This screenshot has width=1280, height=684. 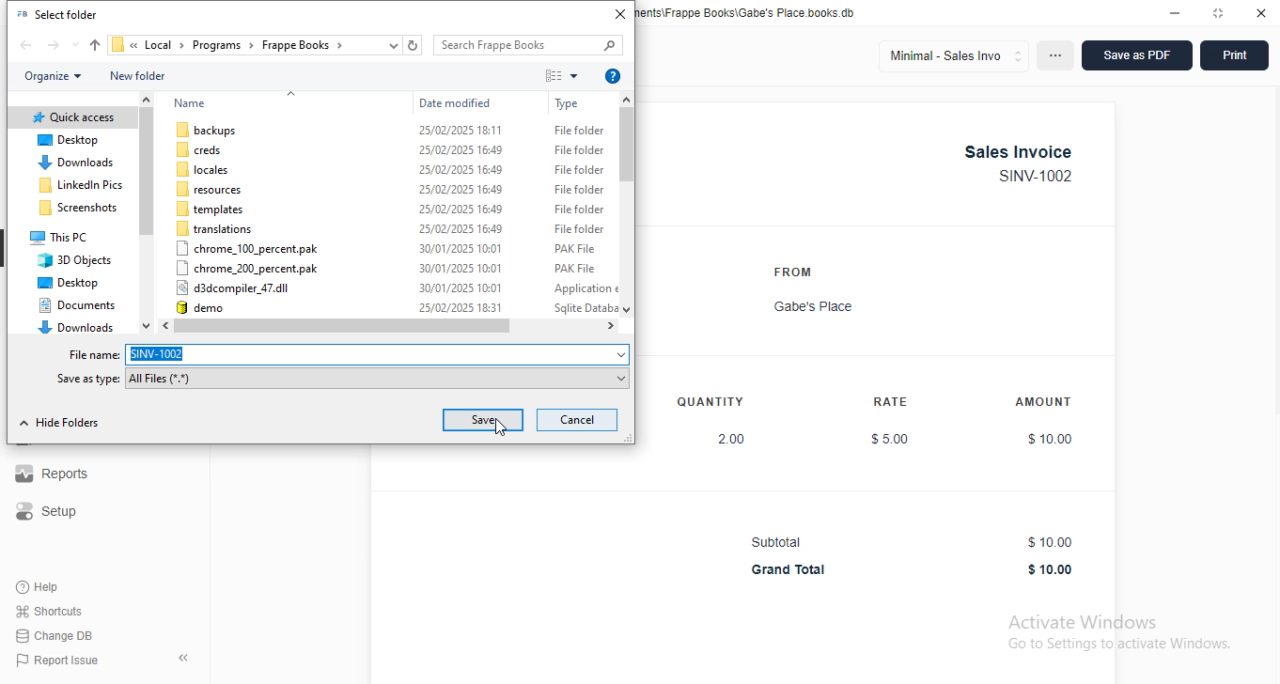 What do you see at coordinates (575, 268) in the screenshot?
I see `PAK file` at bounding box center [575, 268].